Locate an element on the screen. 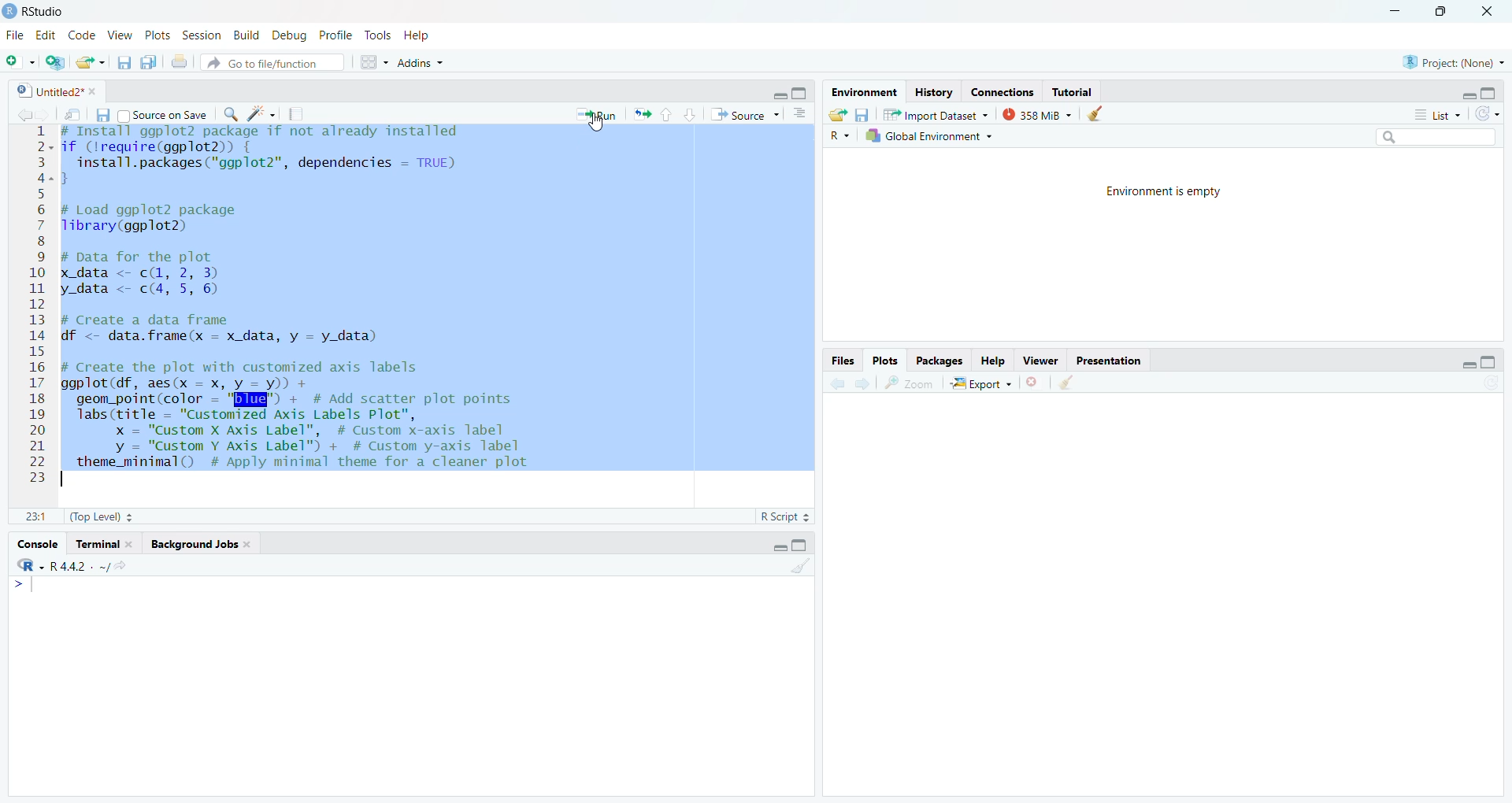 This screenshot has width=1512, height=803. Help is located at coordinates (423, 35).